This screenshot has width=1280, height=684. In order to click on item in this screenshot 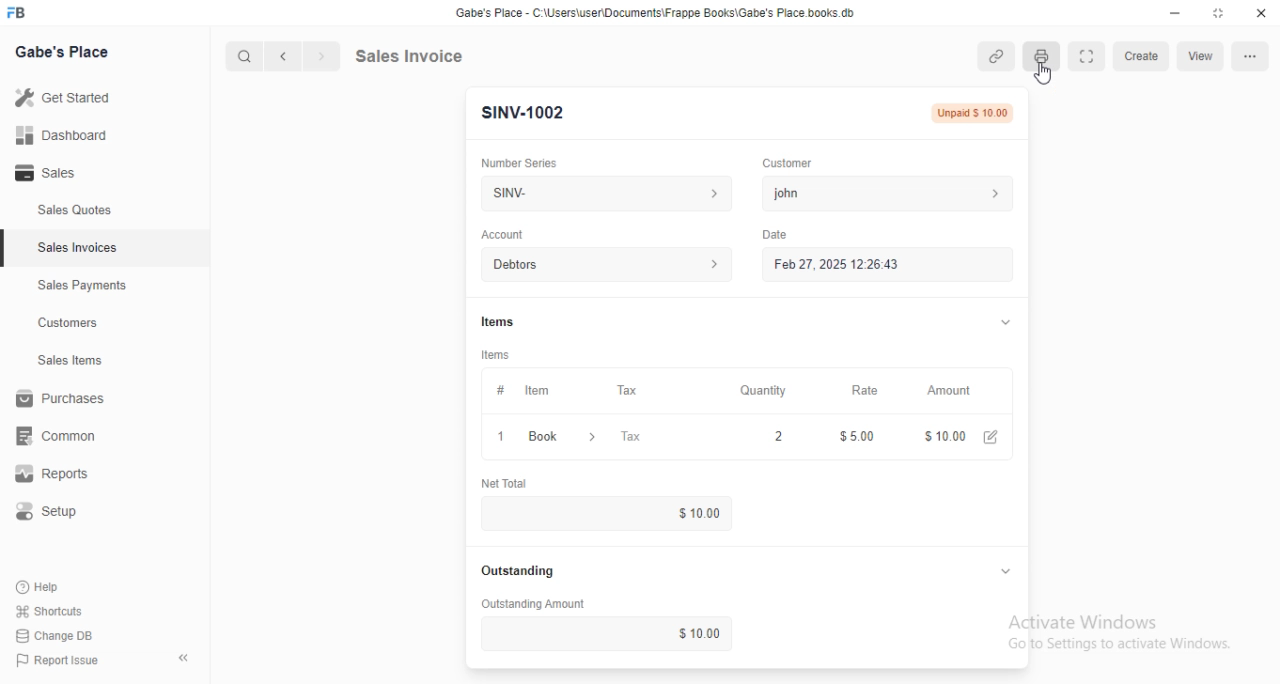, I will do `click(536, 390)`.